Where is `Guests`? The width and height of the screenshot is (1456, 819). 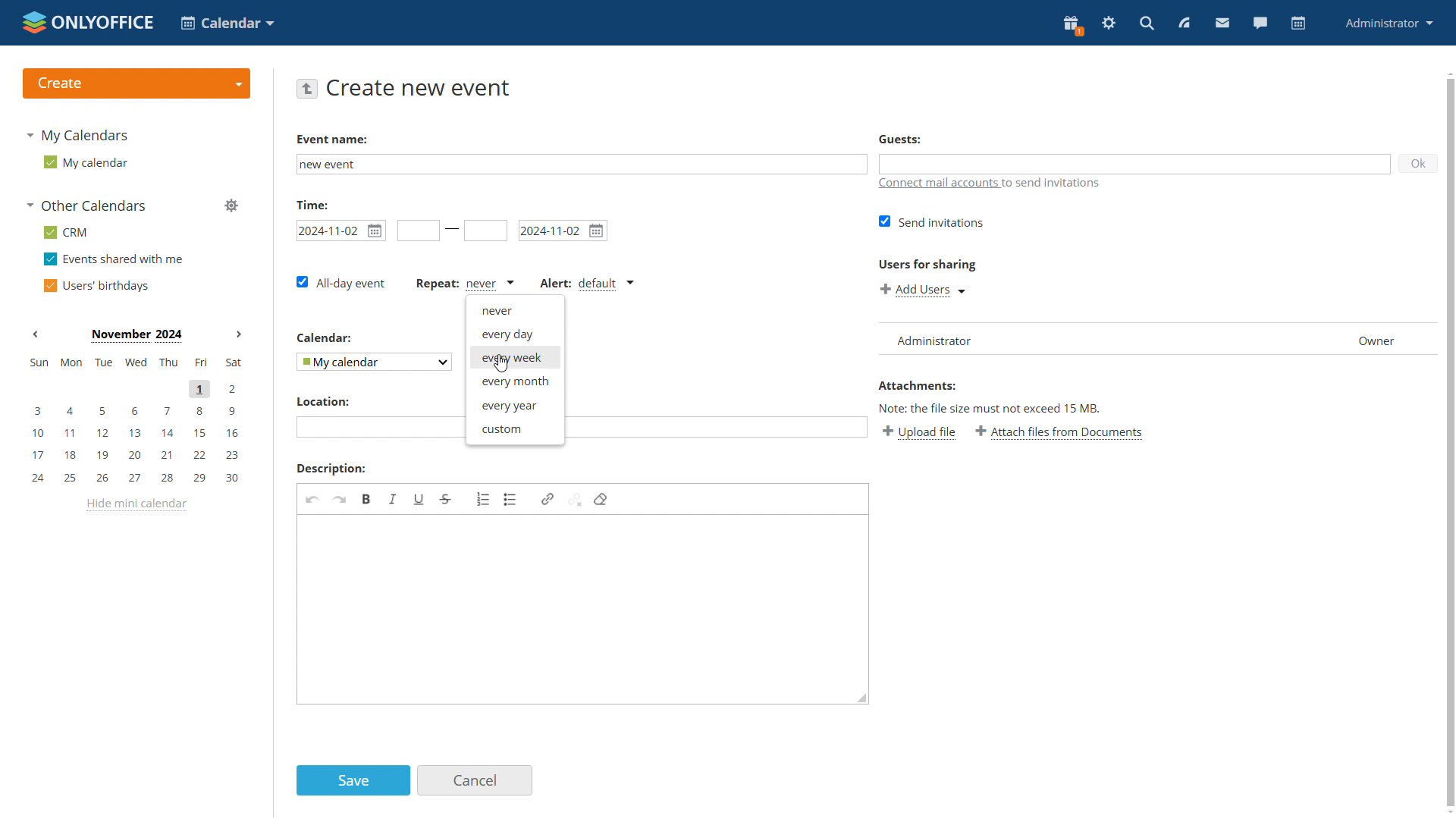
Guests is located at coordinates (900, 140).